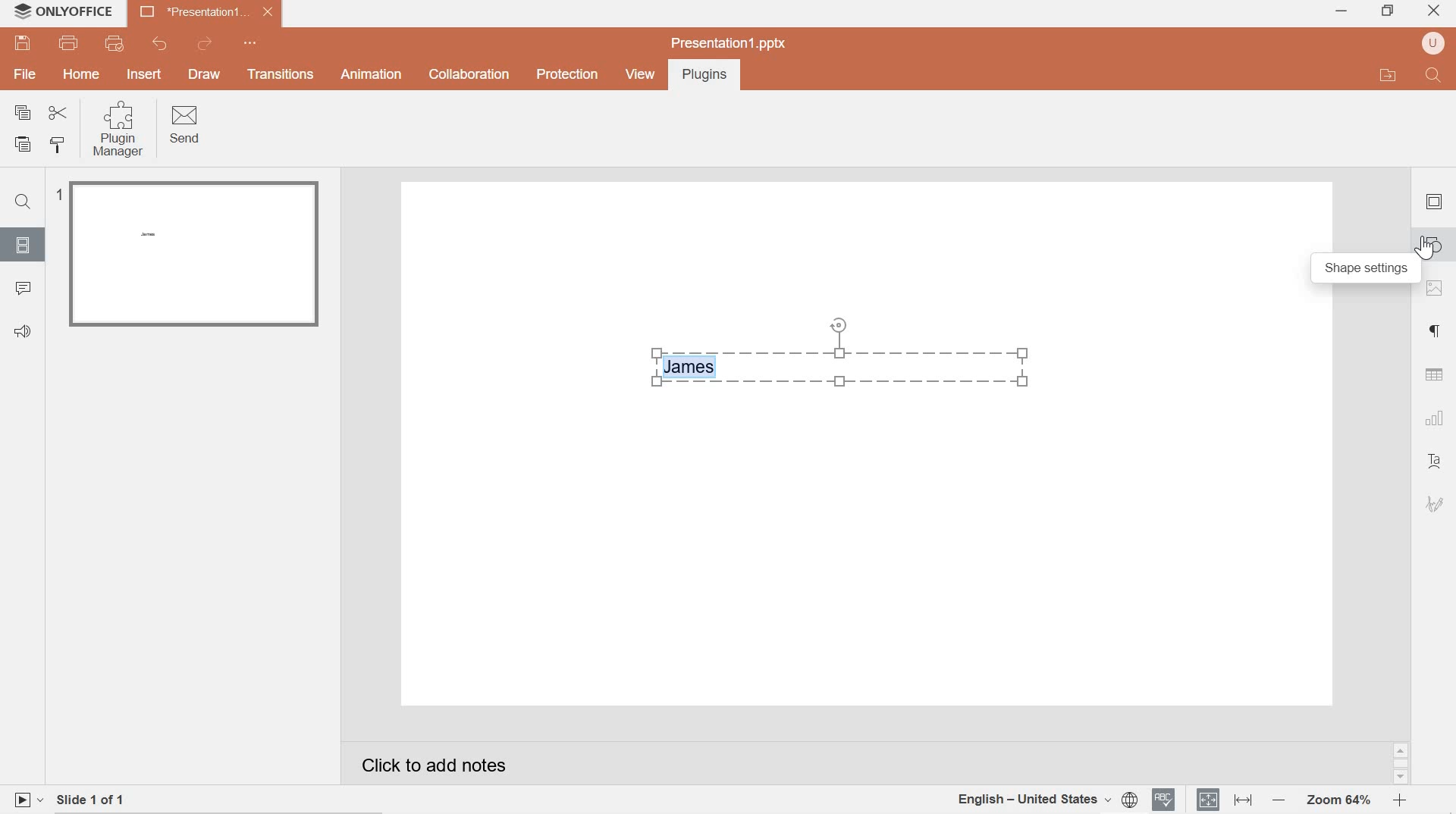 This screenshot has width=1456, height=814. Describe the element at coordinates (1438, 463) in the screenshot. I see `text art settings` at that location.